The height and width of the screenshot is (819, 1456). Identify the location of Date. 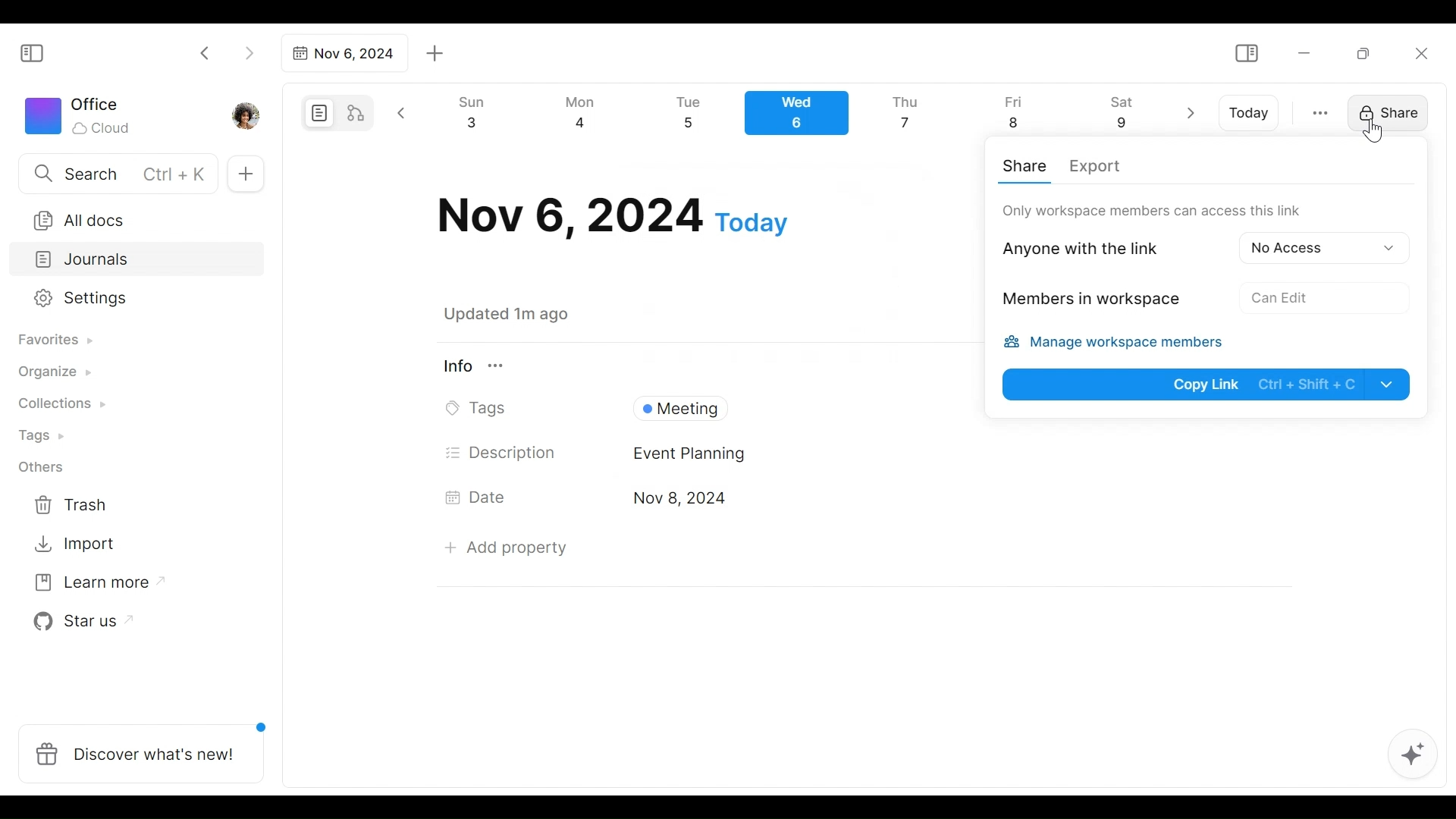
(613, 216).